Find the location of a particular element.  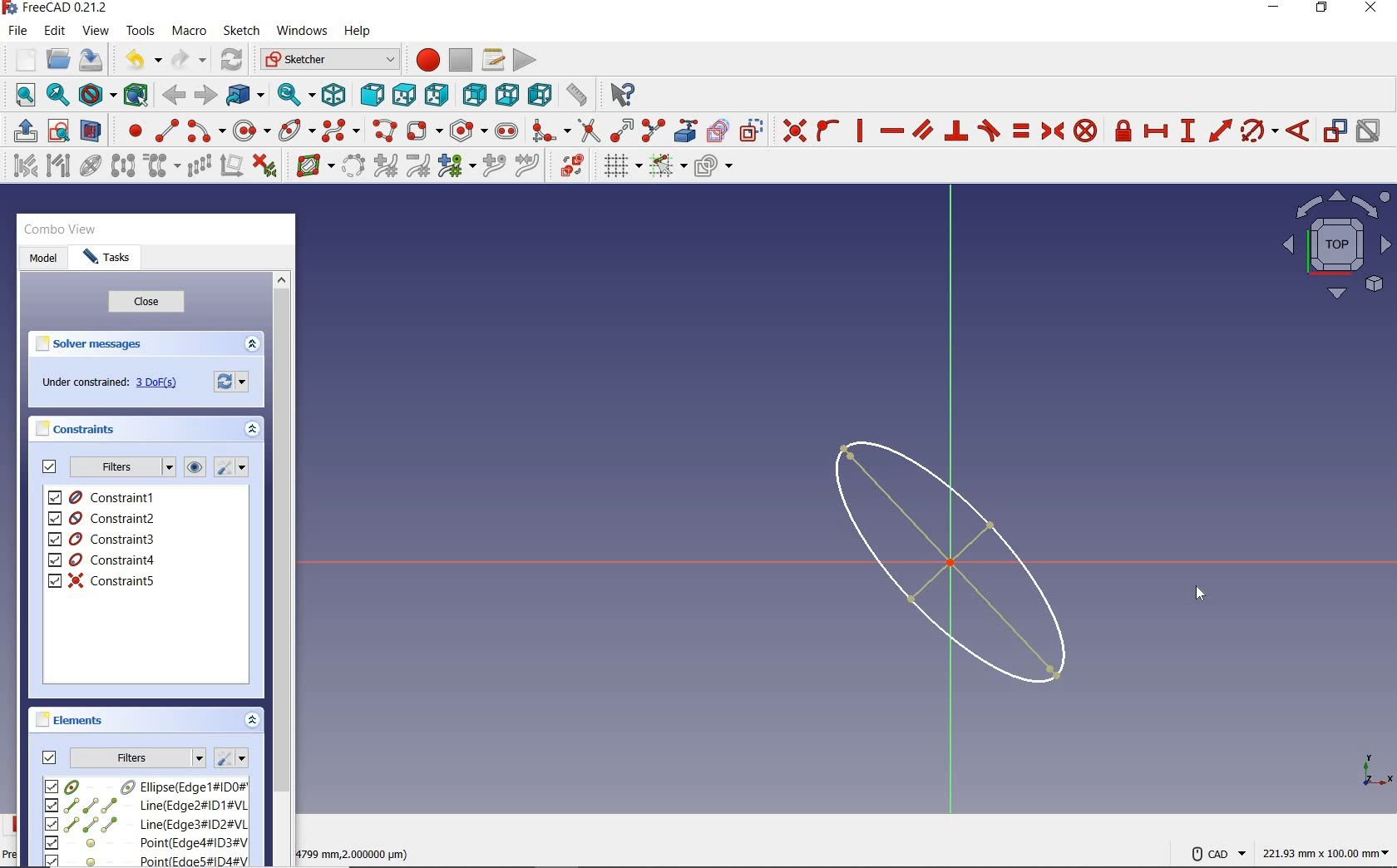

macro is located at coordinates (190, 32).